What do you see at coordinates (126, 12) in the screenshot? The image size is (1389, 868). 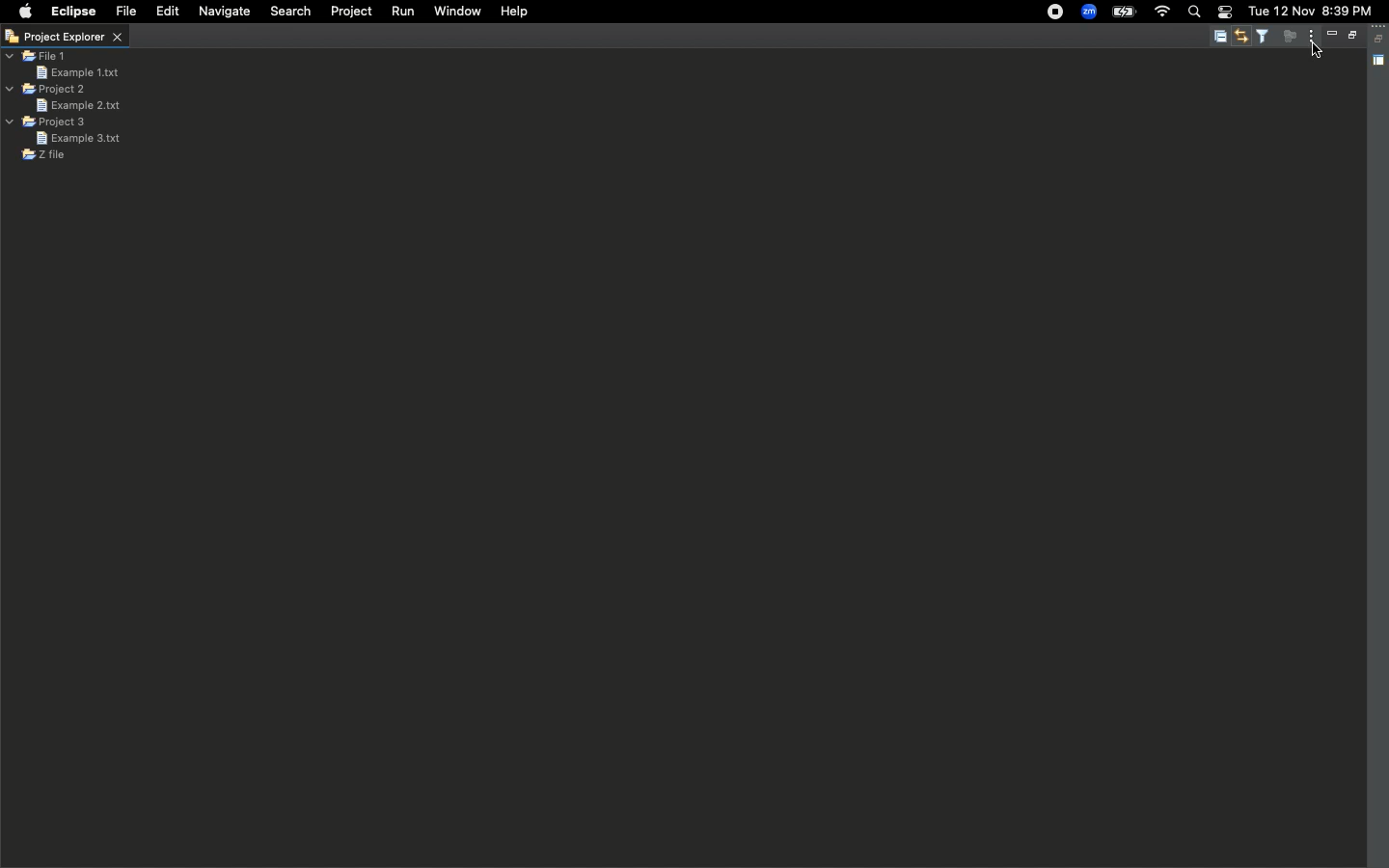 I see `File` at bounding box center [126, 12].